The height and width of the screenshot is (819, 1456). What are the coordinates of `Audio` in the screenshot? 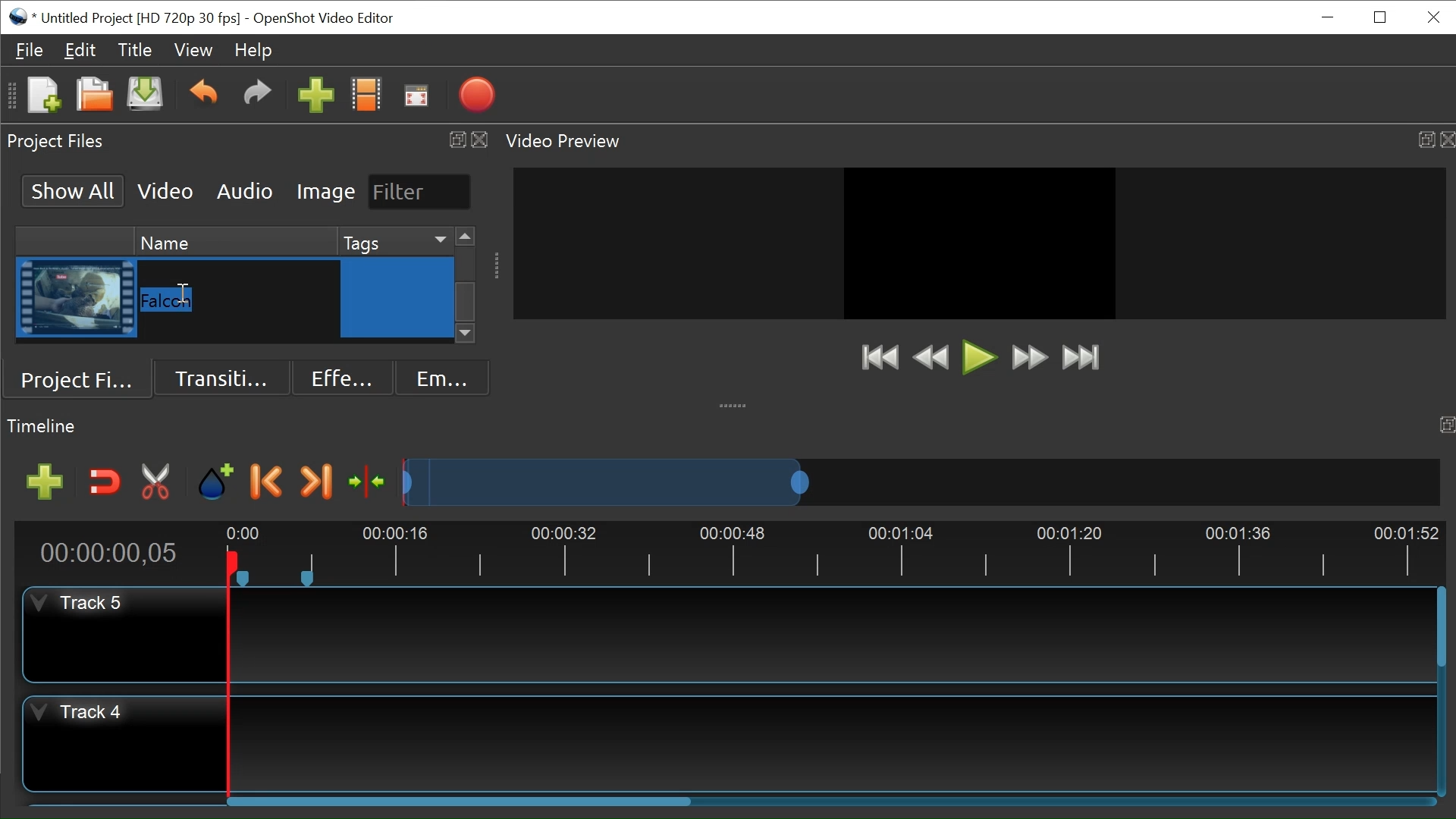 It's located at (243, 190).